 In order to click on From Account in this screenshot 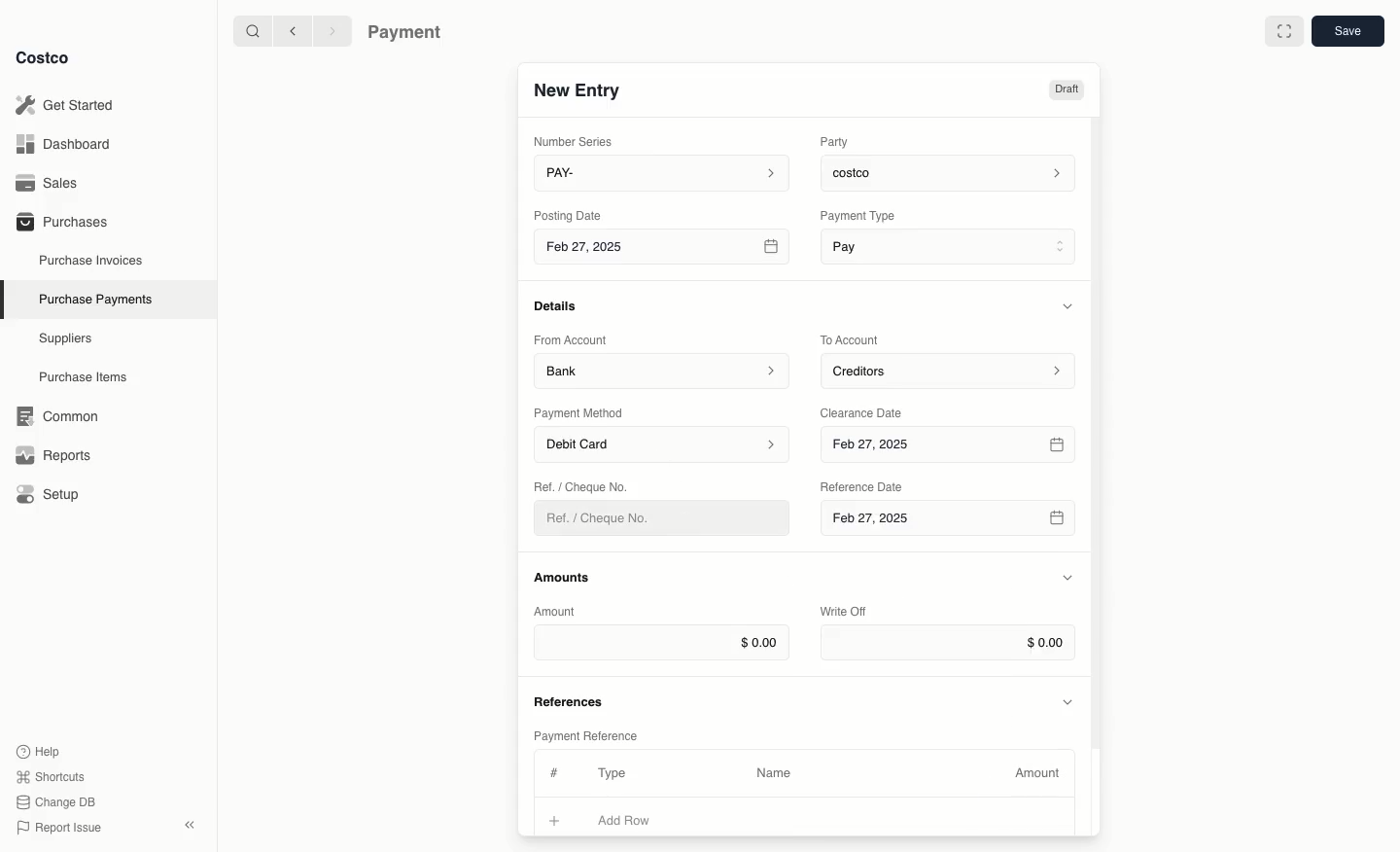, I will do `click(571, 339)`.